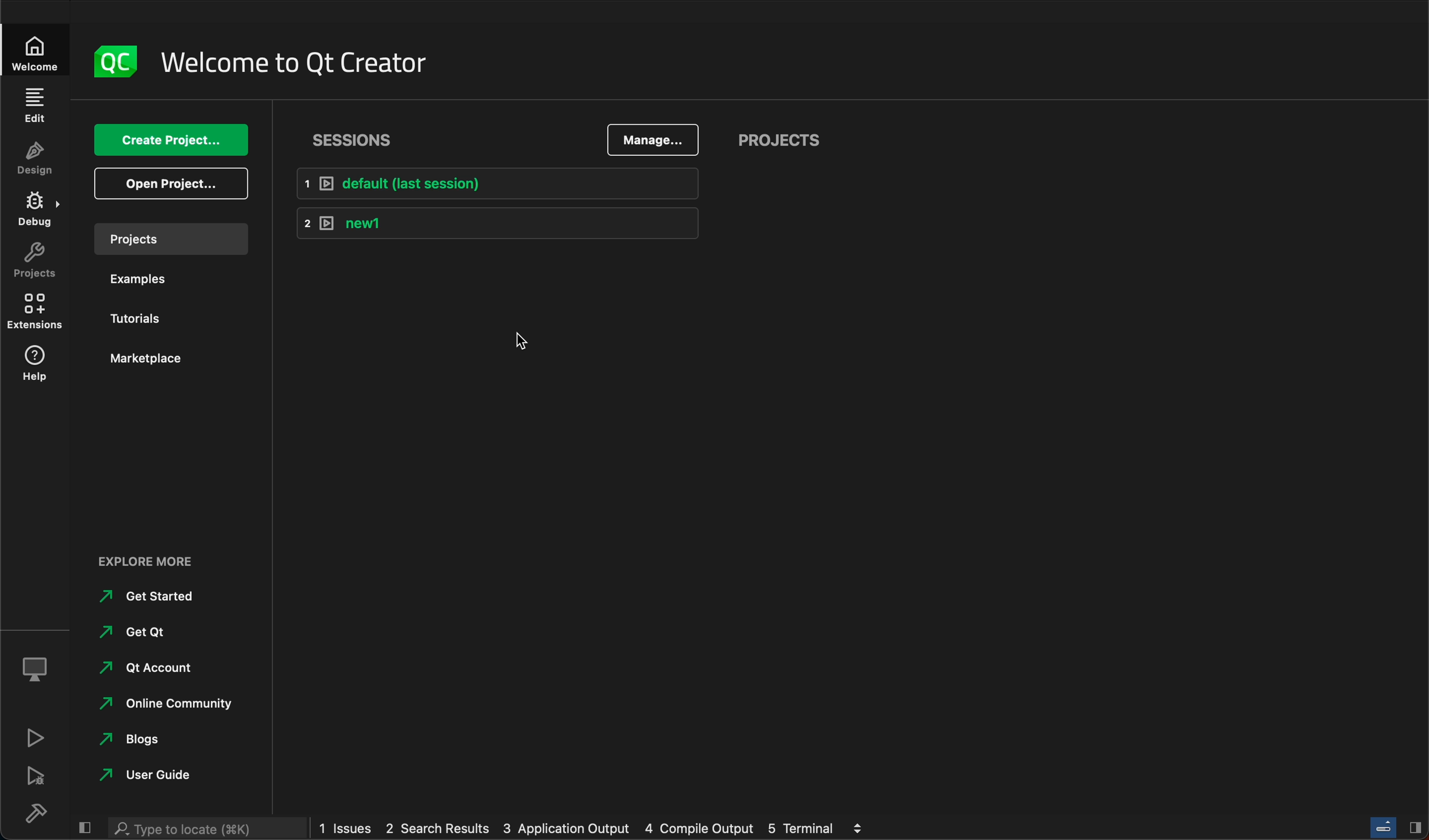  Describe the element at coordinates (142, 356) in the screenshot. I see `marketplace` at that location.